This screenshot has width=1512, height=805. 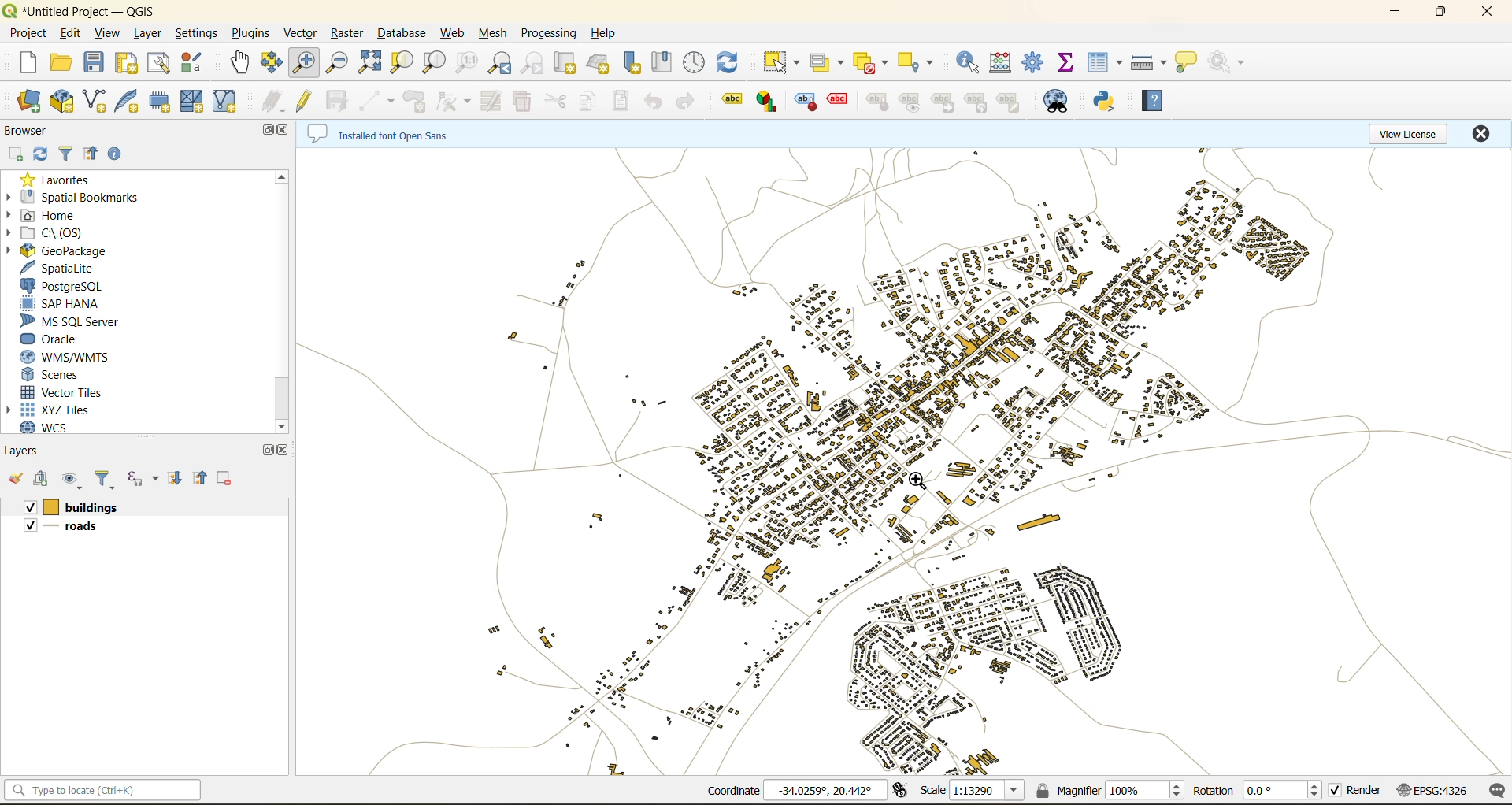 I want to click on zoom out, so click(x=335, y=64).